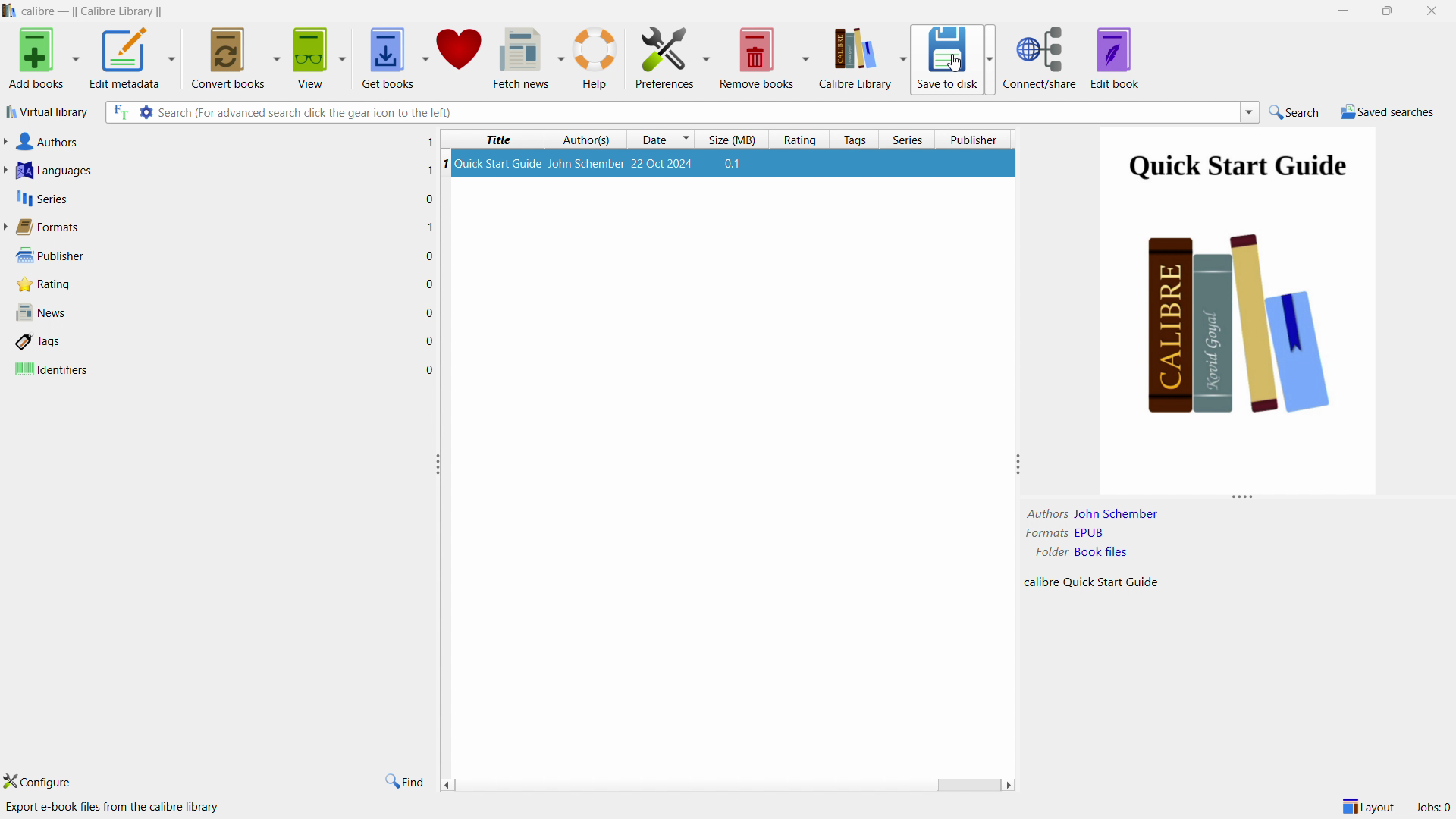 This screenshot has width=1456, height=819. Describe the element at coordinates (428, 257) in the screenshot. I see `0` at that location.